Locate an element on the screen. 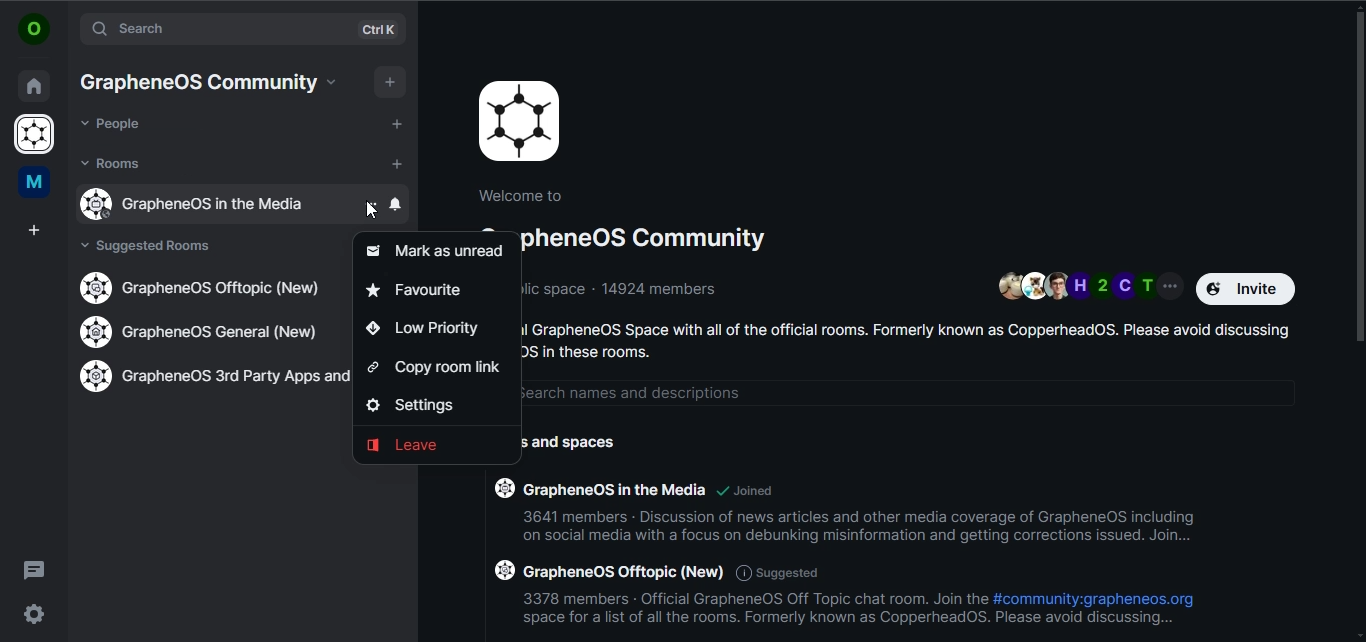 The height and width of the screenshot is (642, 1366). explore room is located at coordinates (383, 30).